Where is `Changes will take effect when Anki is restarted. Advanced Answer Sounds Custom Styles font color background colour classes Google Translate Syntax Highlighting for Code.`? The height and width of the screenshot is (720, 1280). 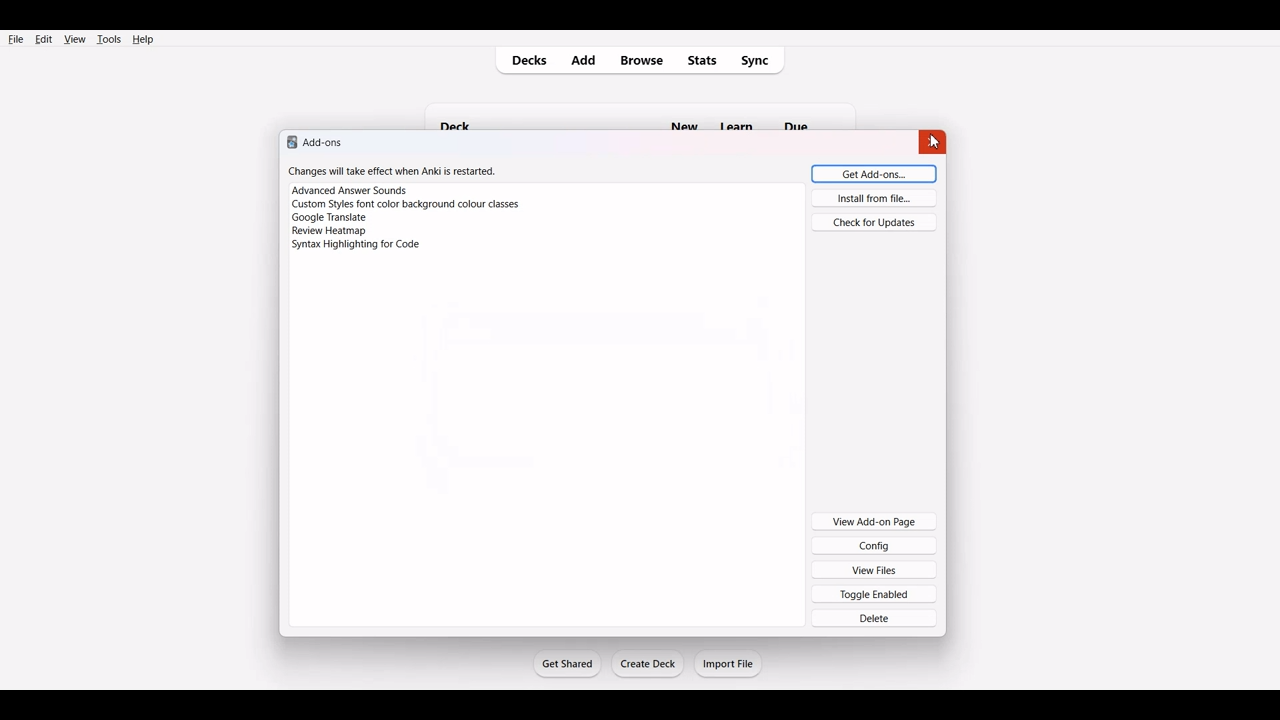 Changes will take effect when Anki is restarted. Advanced Answer Sounds Custom Styles font color background colour classes Google Translate Syntax Highlighting for Code. is located at coordinates (414, 208).